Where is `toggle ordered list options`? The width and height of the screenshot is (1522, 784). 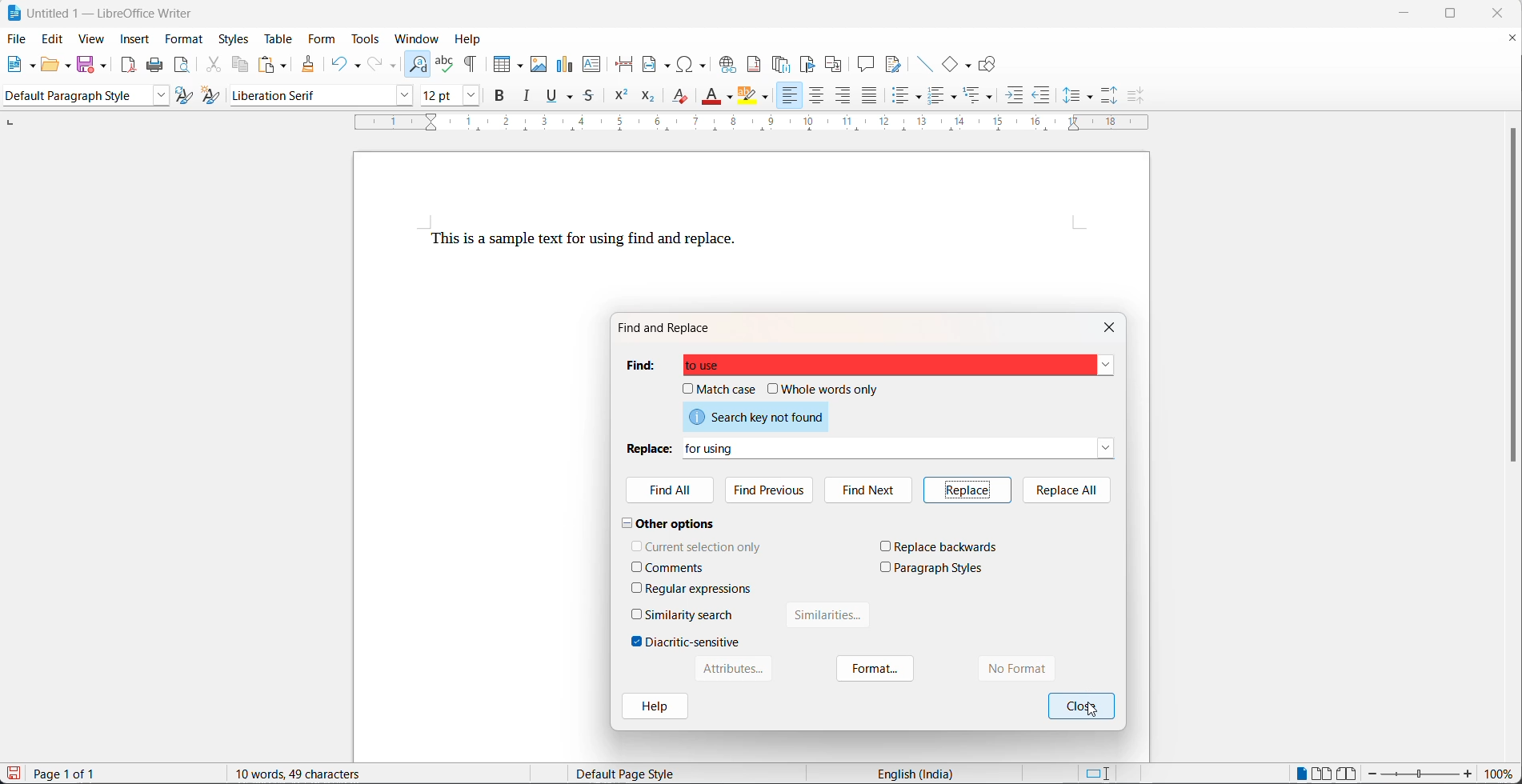 toggle ordered list options is located at coordinates (956, 98).